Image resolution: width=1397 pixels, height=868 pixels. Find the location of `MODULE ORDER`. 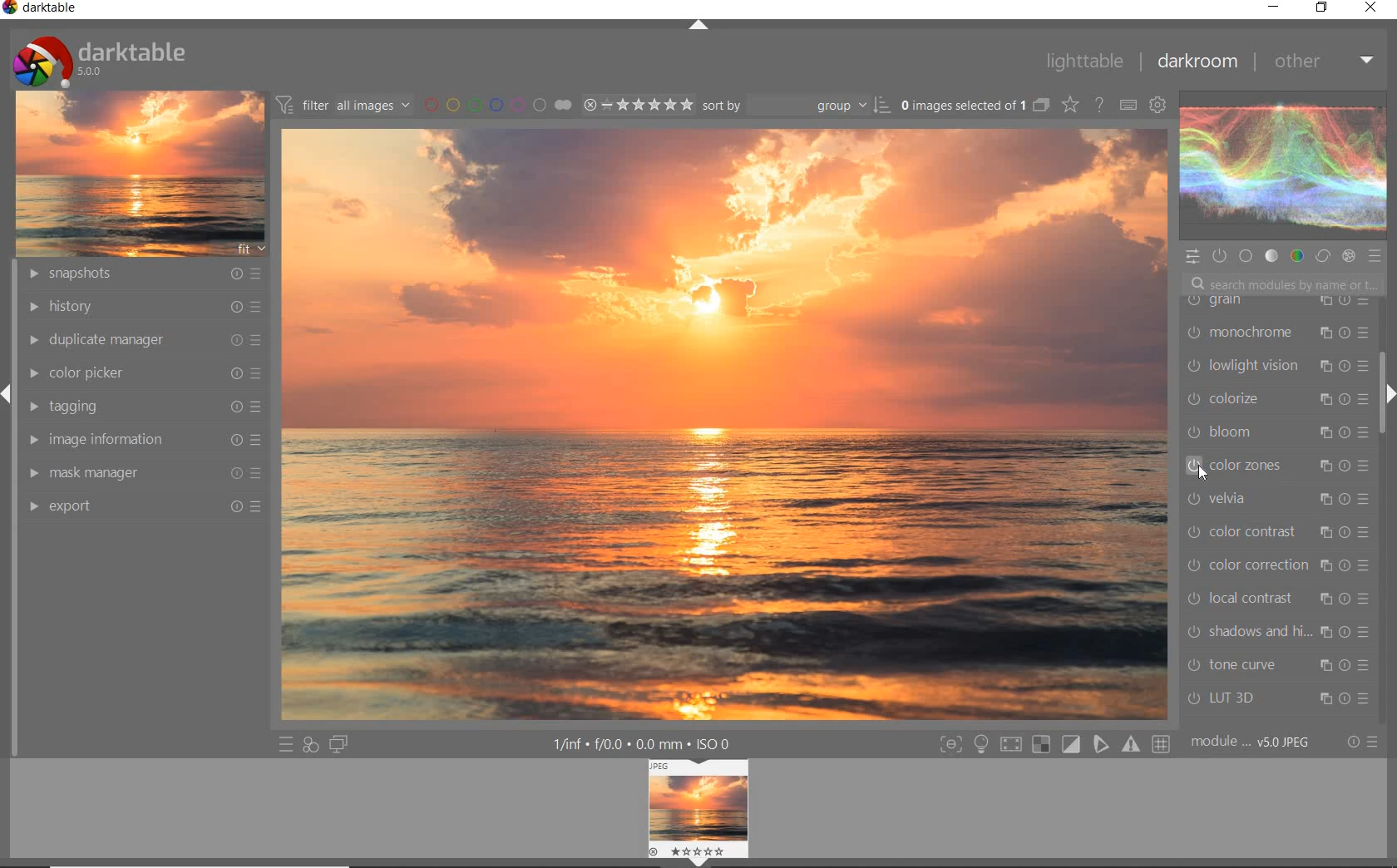

MODULE ORDER is located at coordinates (1252, 742).